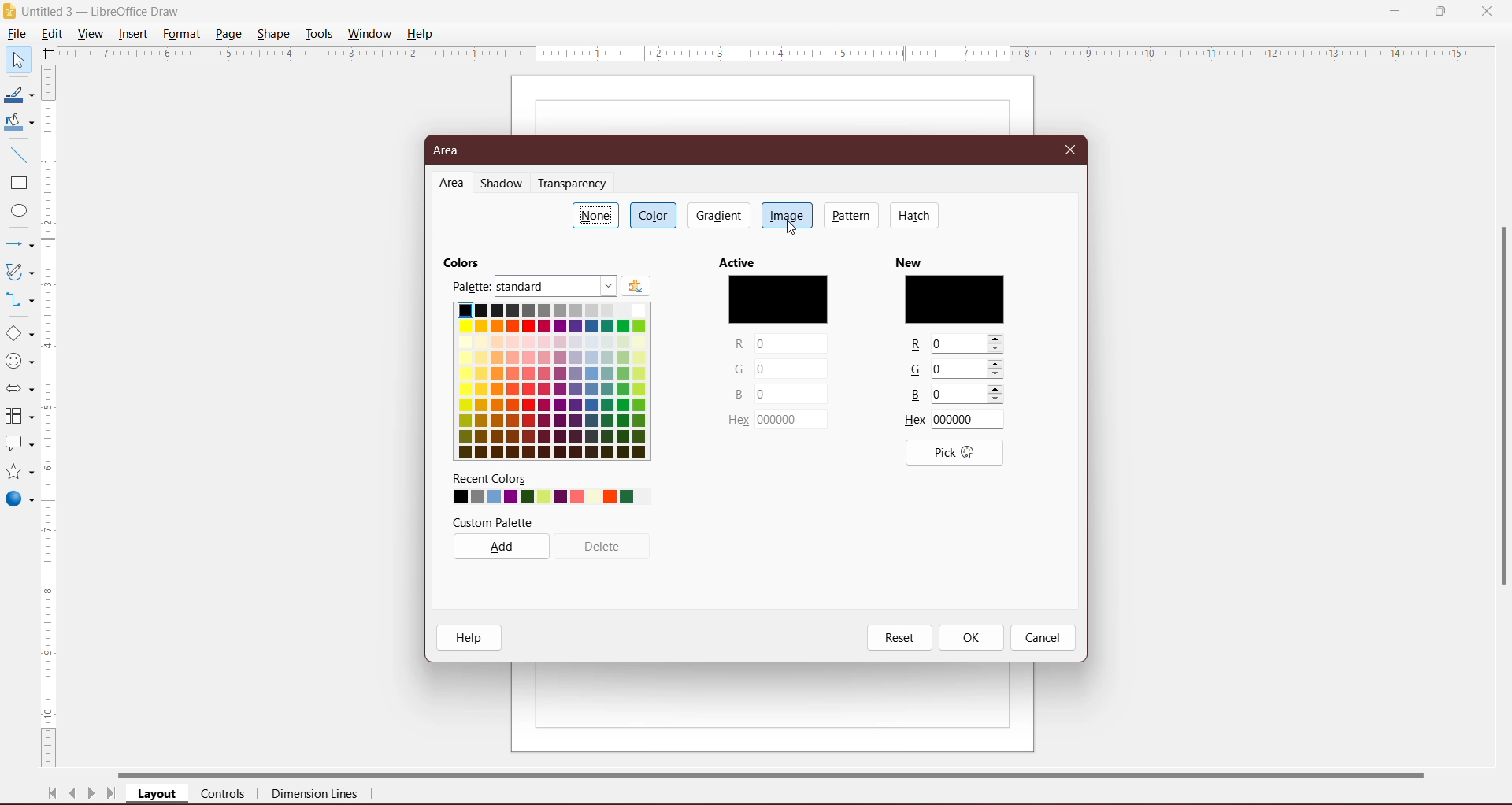  I want to click on Area, so click(452, 184).